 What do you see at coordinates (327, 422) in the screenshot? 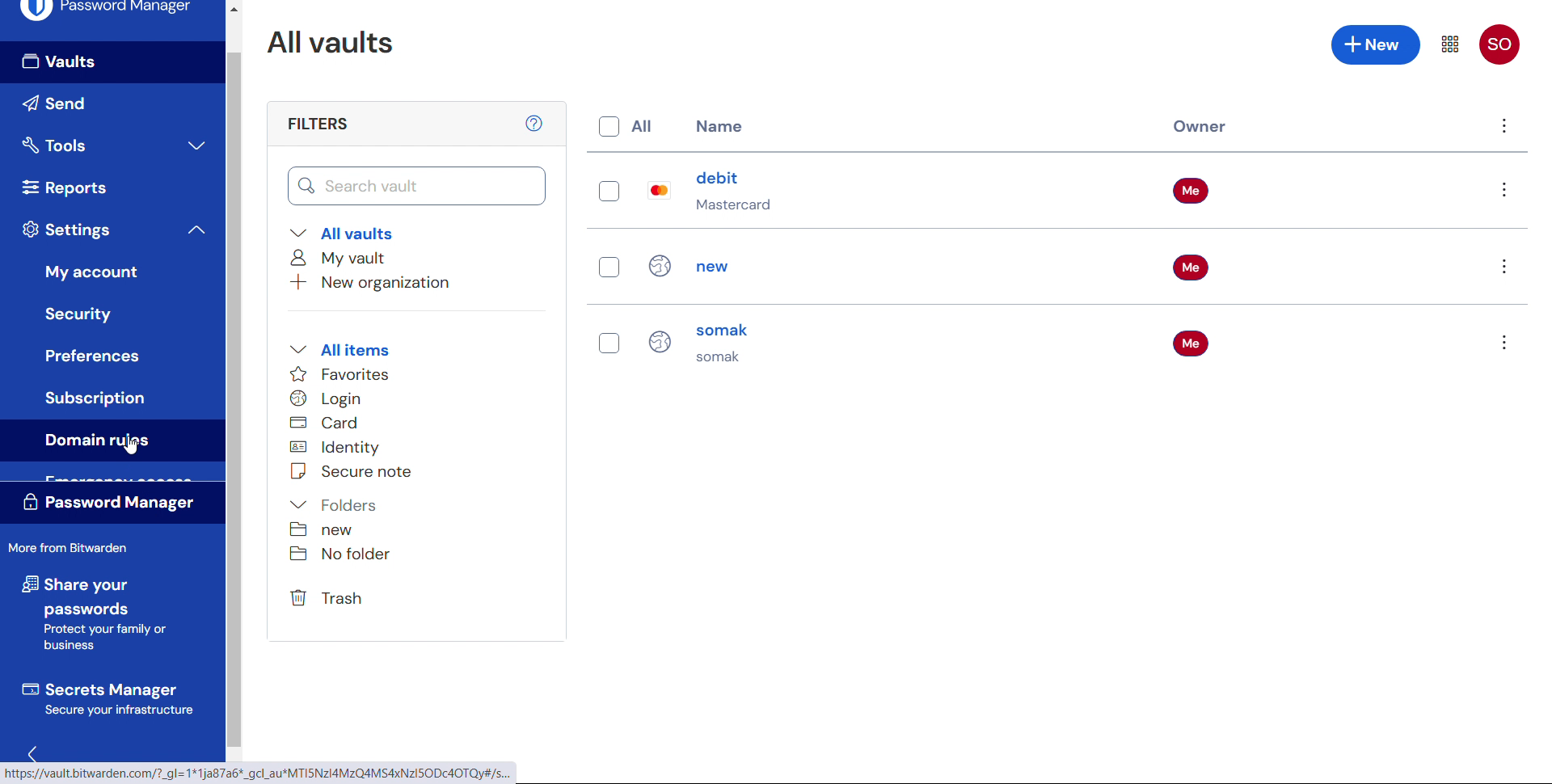
I see `card ` at bounding box center [327, 422].